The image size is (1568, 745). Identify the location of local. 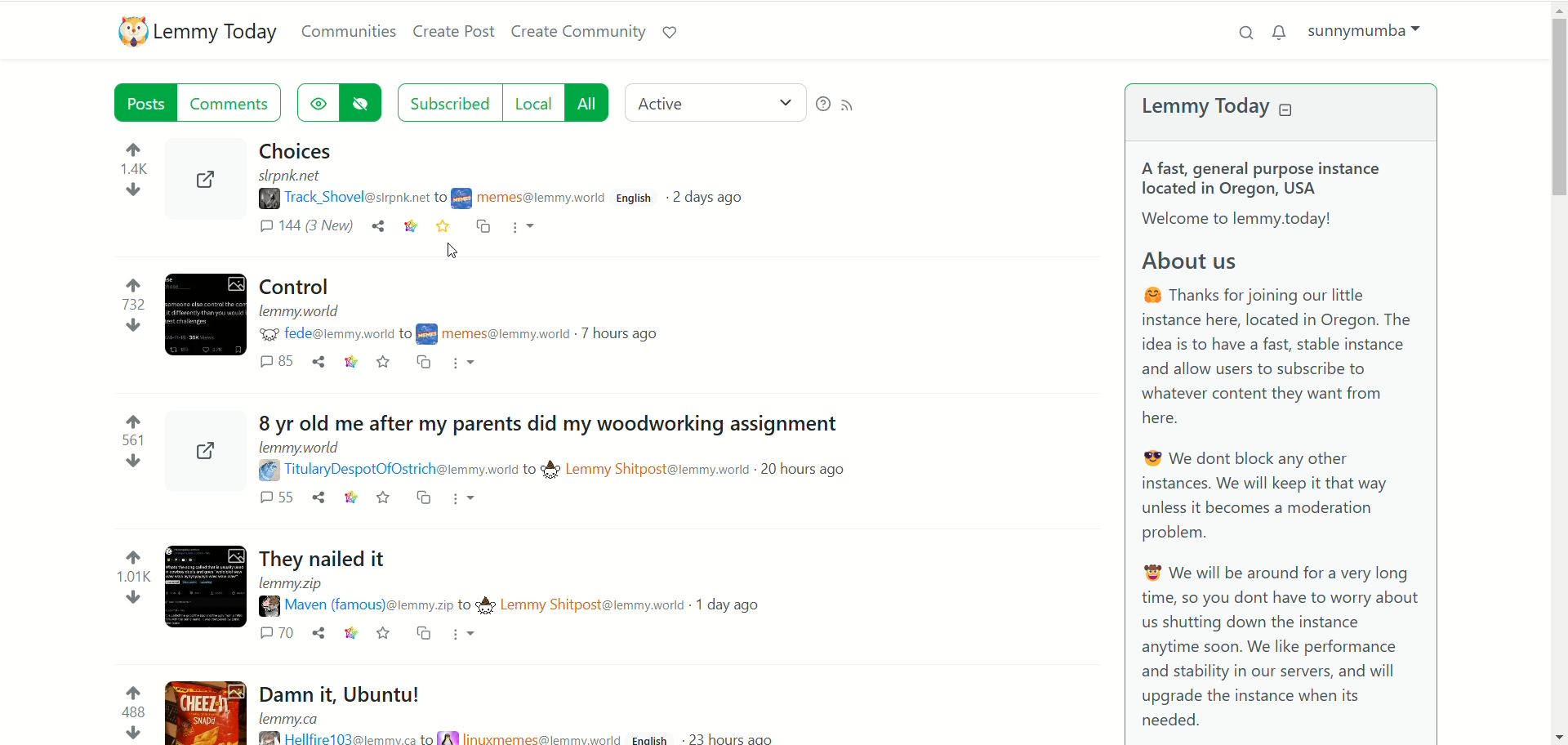
(533, 100).